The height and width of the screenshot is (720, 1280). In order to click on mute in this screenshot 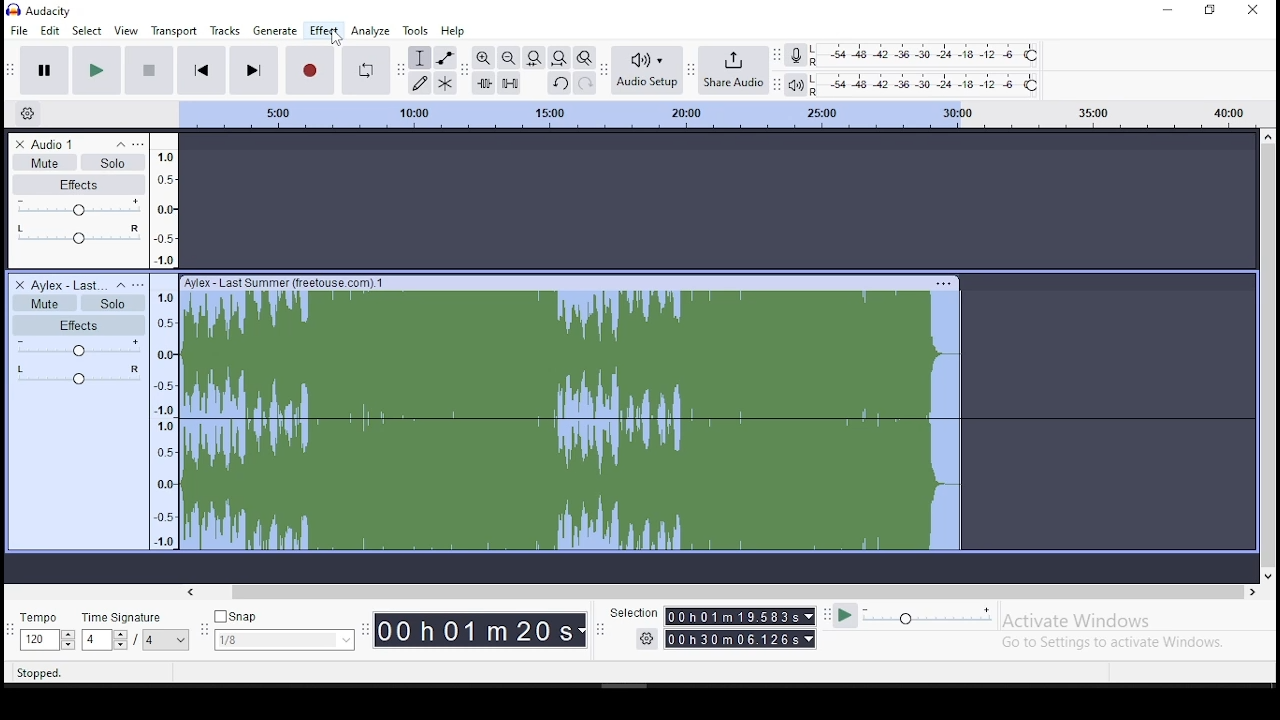, I will do `click(43, 162)`.